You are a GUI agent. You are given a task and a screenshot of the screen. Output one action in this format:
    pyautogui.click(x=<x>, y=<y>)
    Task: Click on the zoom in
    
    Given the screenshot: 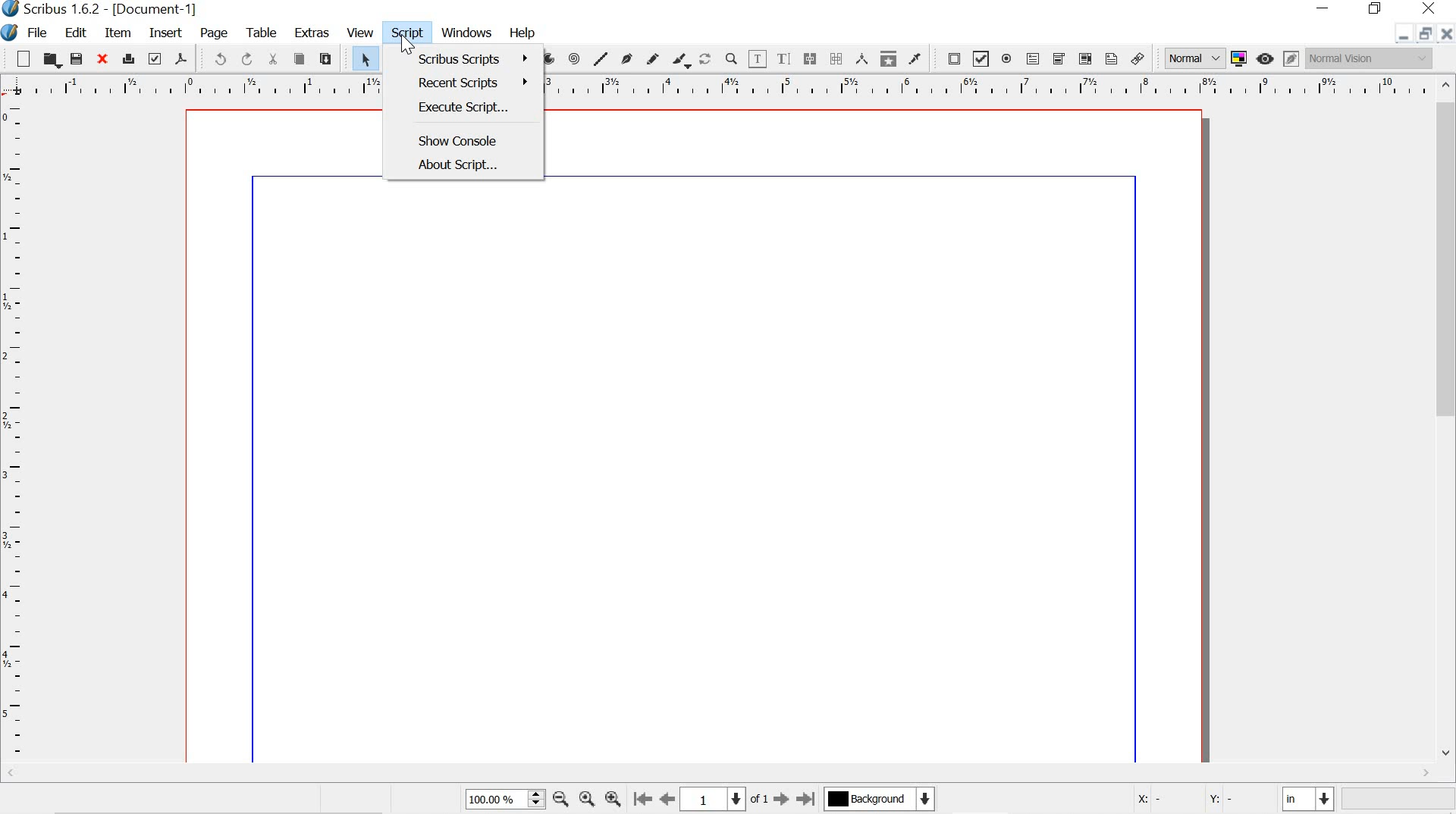 What is the action you would take?
    pyautogui.click(x=611, y=798)
    